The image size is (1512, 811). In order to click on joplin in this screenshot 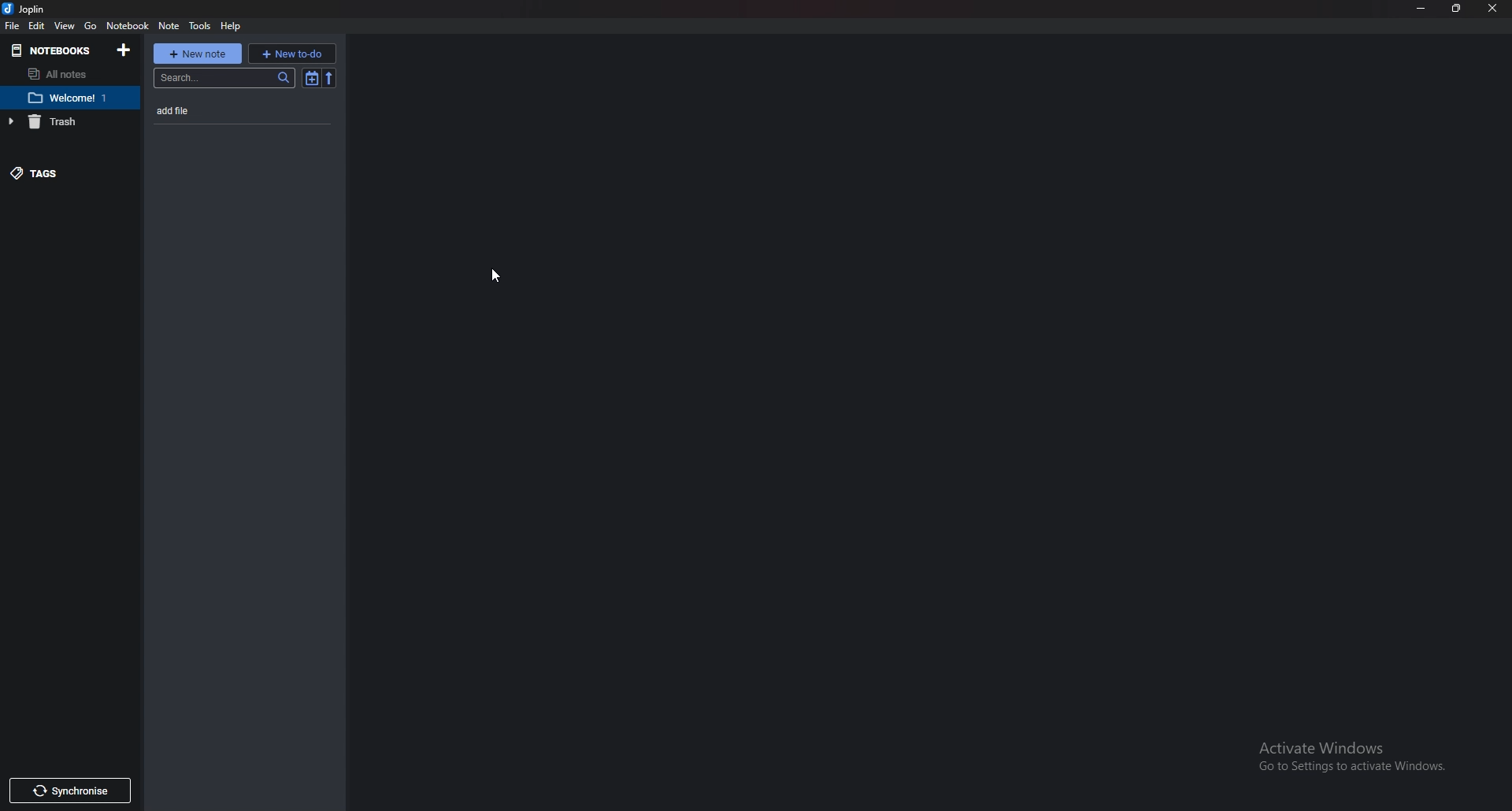, I will do `click(29, 10)`.